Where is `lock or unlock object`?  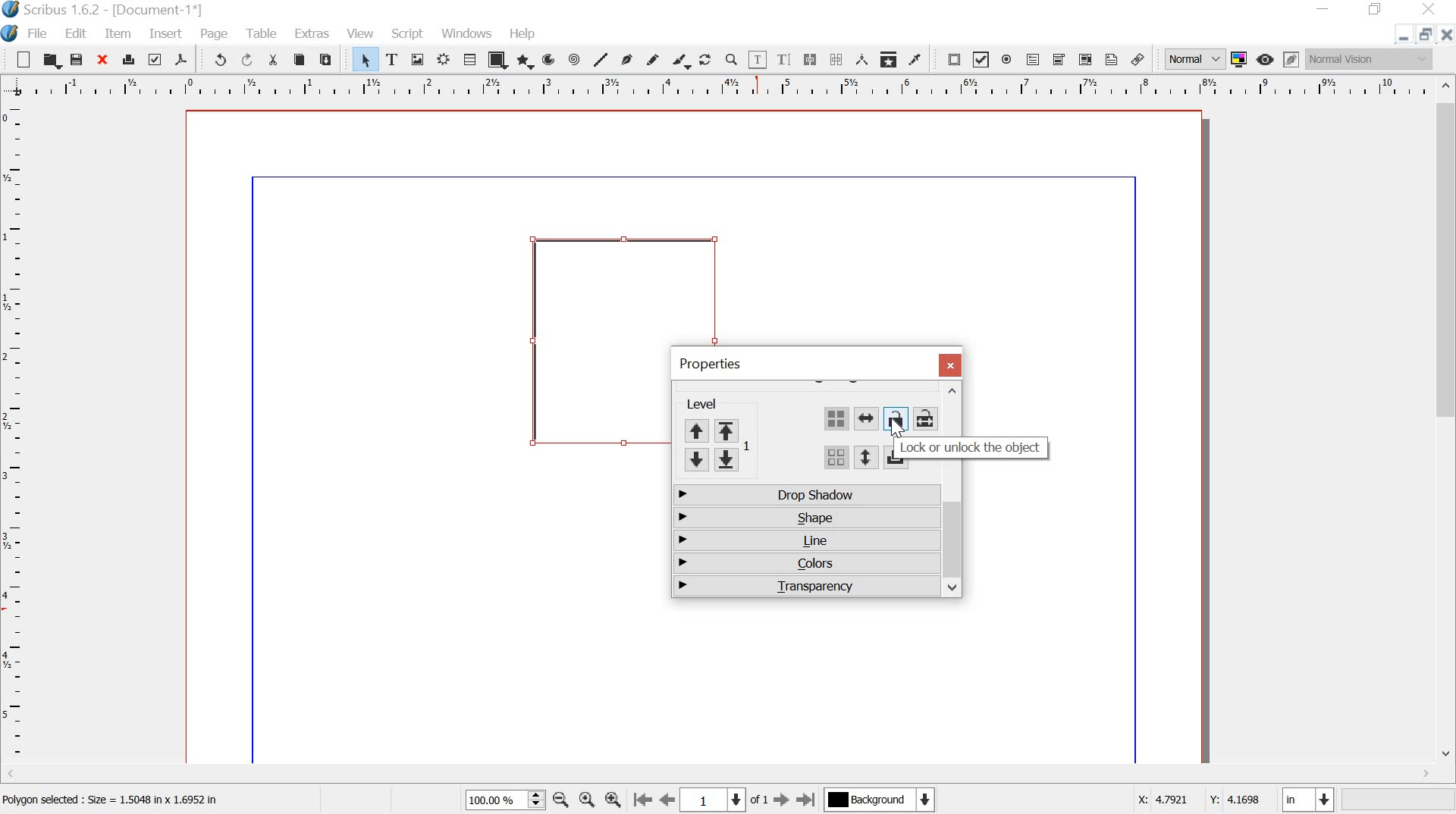
lock or unlock object is located at coordinates (971, 446).